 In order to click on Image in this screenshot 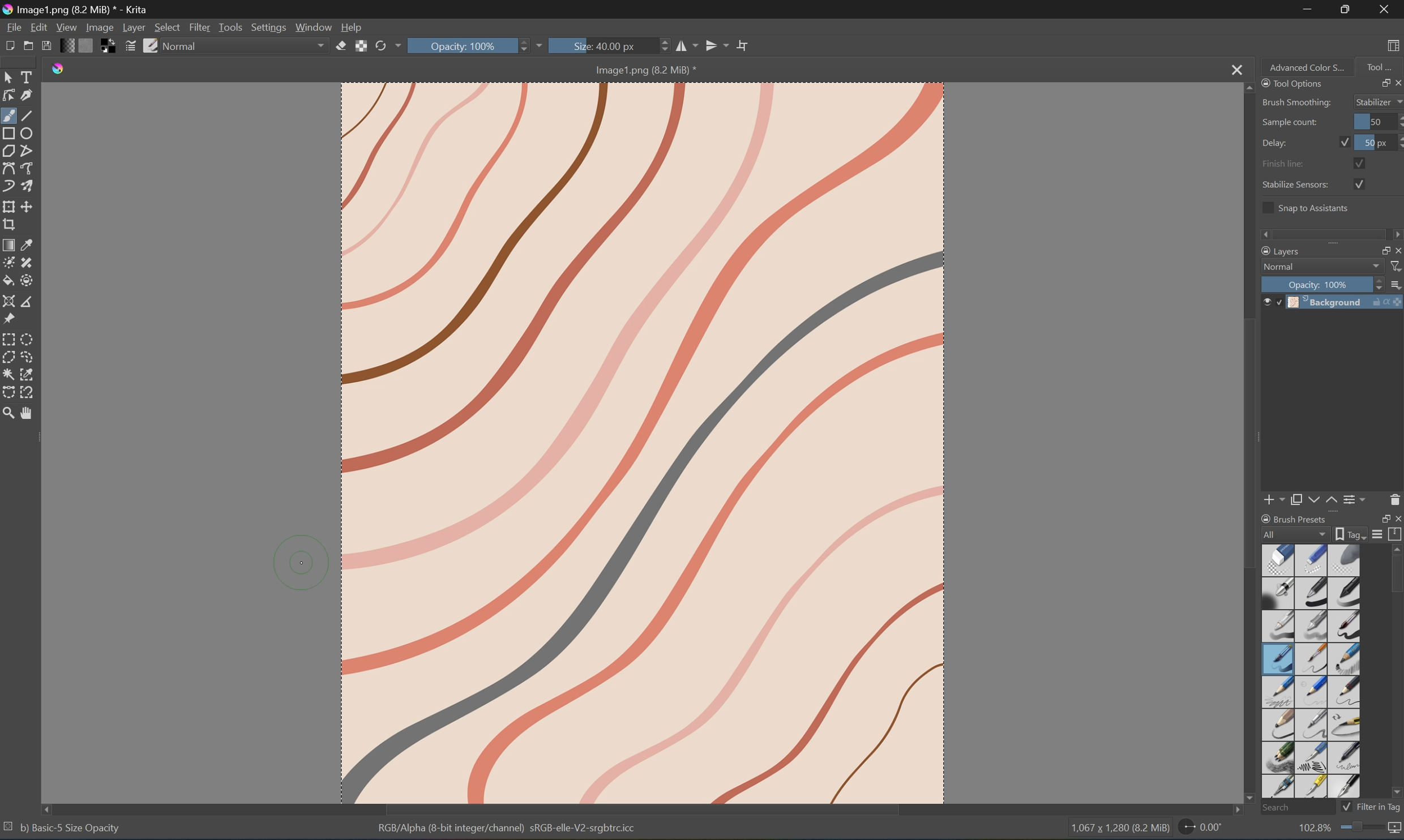, I will do `click(99, 27)`.